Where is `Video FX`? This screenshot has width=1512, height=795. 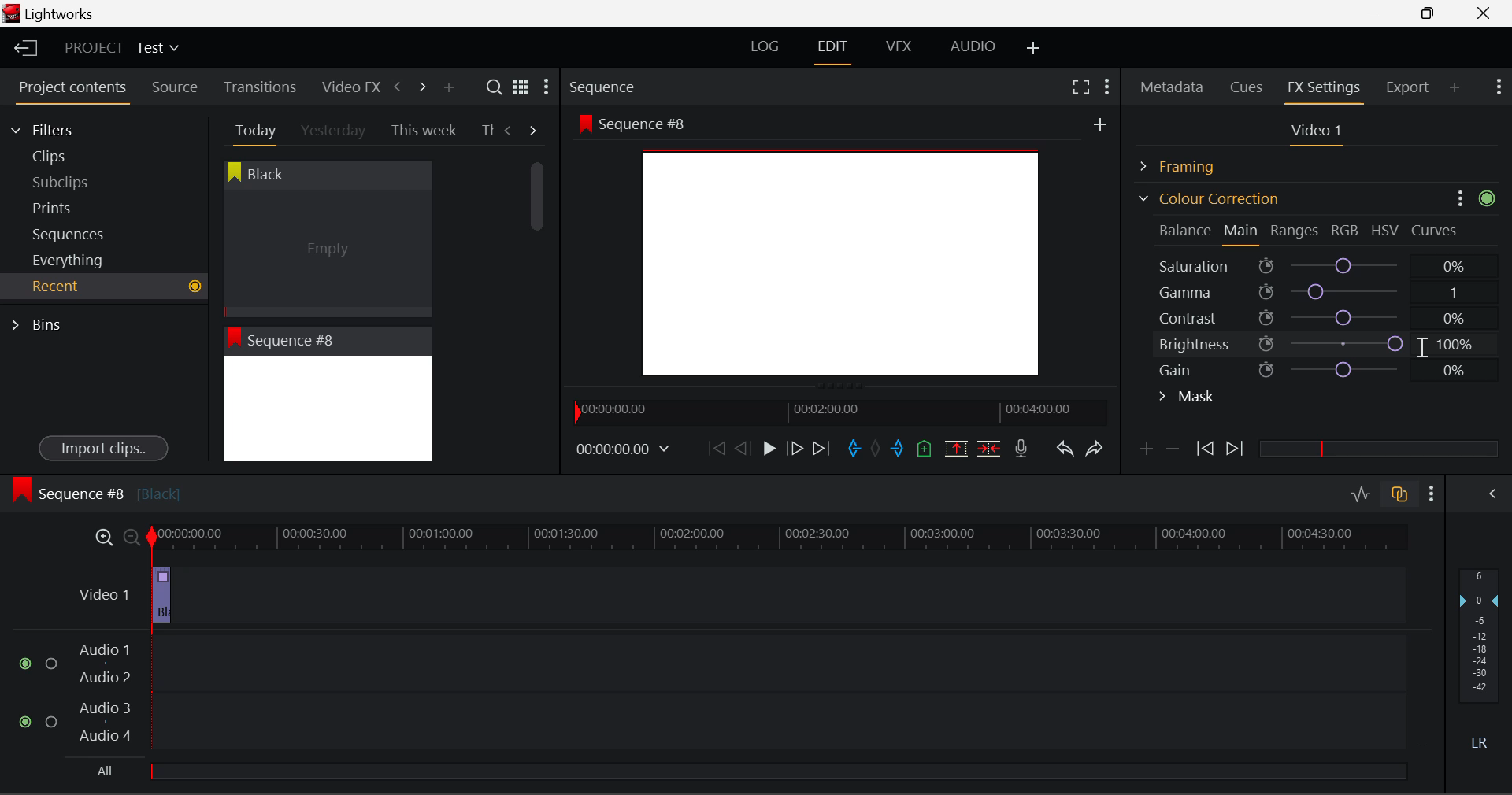
Video FX is located at coordinates (346, 87).